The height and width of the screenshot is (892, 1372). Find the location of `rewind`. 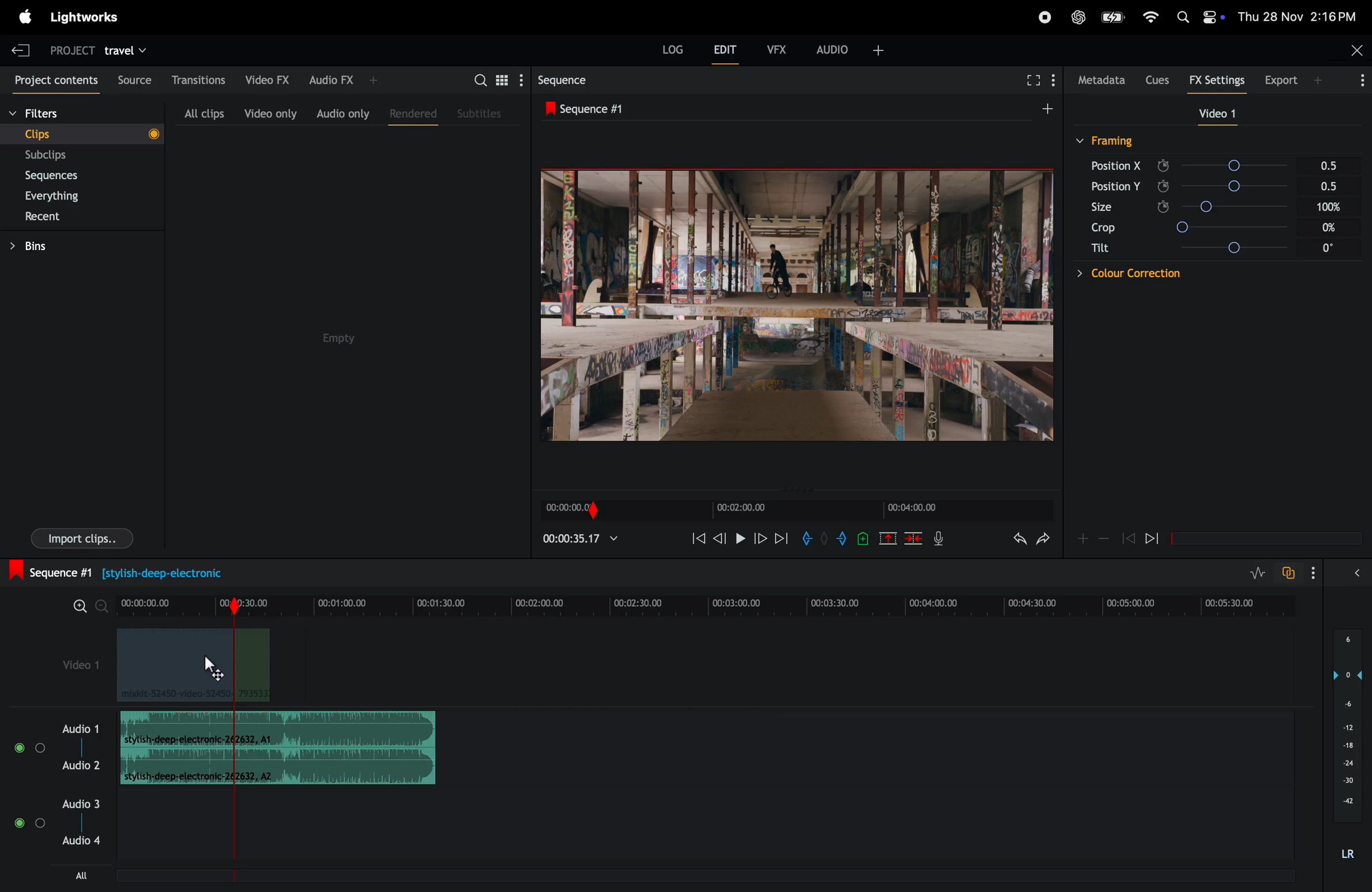

rewind is located at coordinates (694, 539).